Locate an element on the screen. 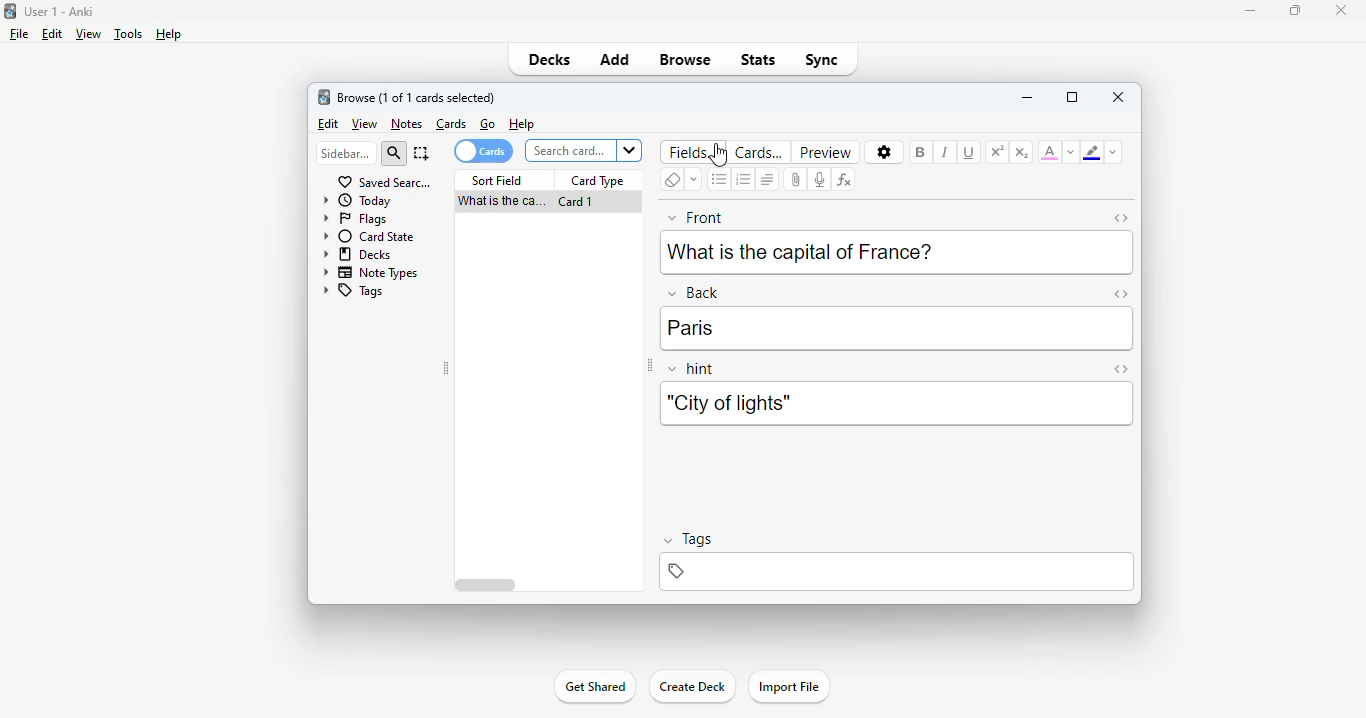 The image size is (1366, 718). tags is located at coordinates (895, 572).